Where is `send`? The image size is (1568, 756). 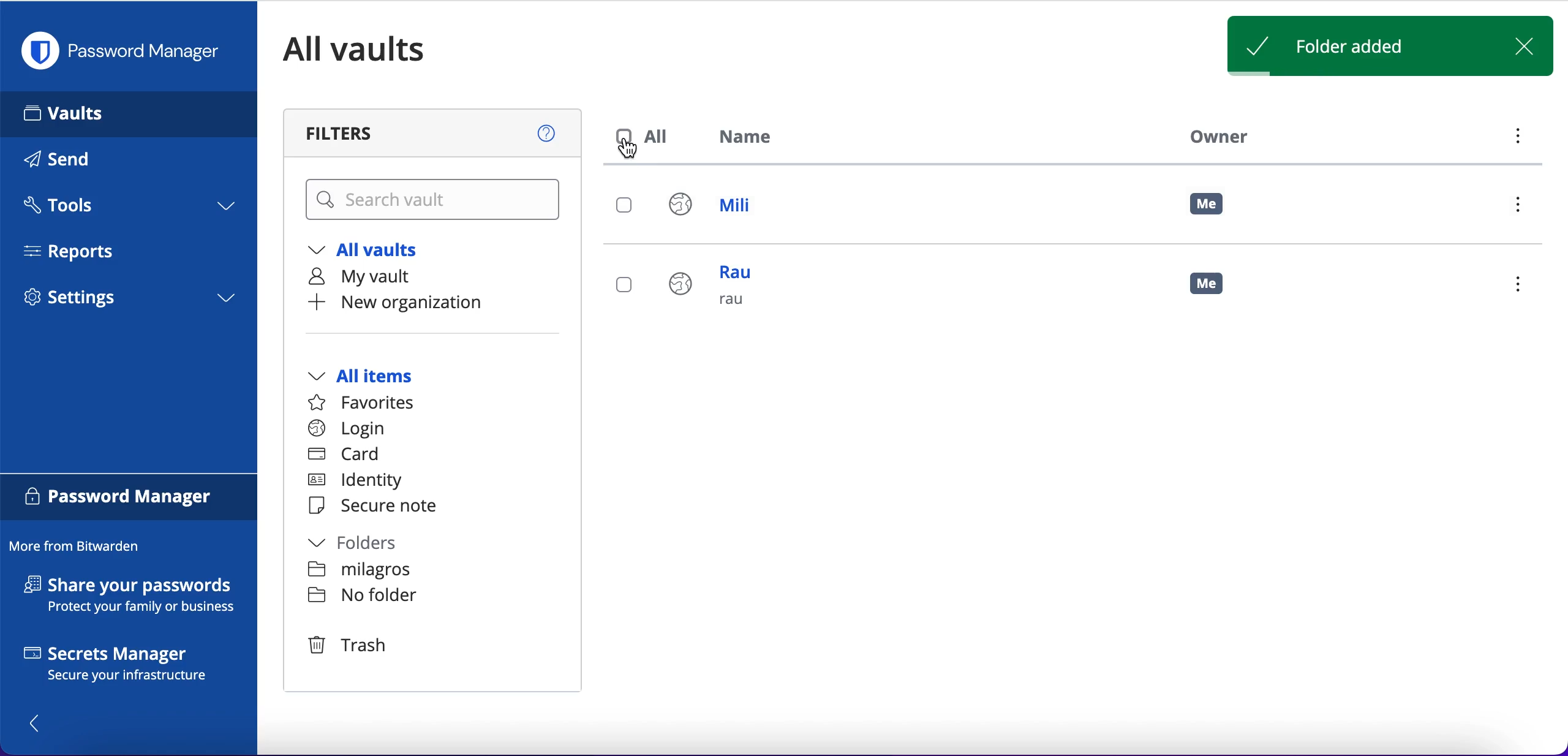 send is located at coordinates (75, 162).